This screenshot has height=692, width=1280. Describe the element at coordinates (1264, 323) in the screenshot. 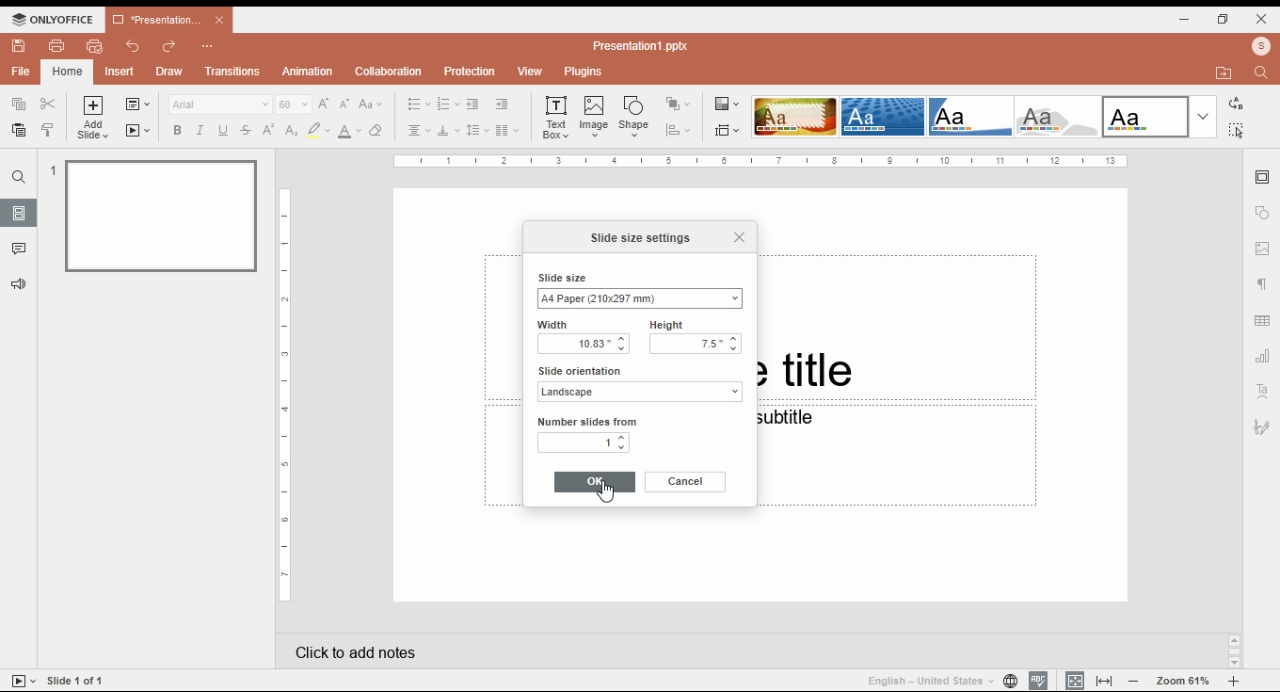

I see `table settings` at that location.